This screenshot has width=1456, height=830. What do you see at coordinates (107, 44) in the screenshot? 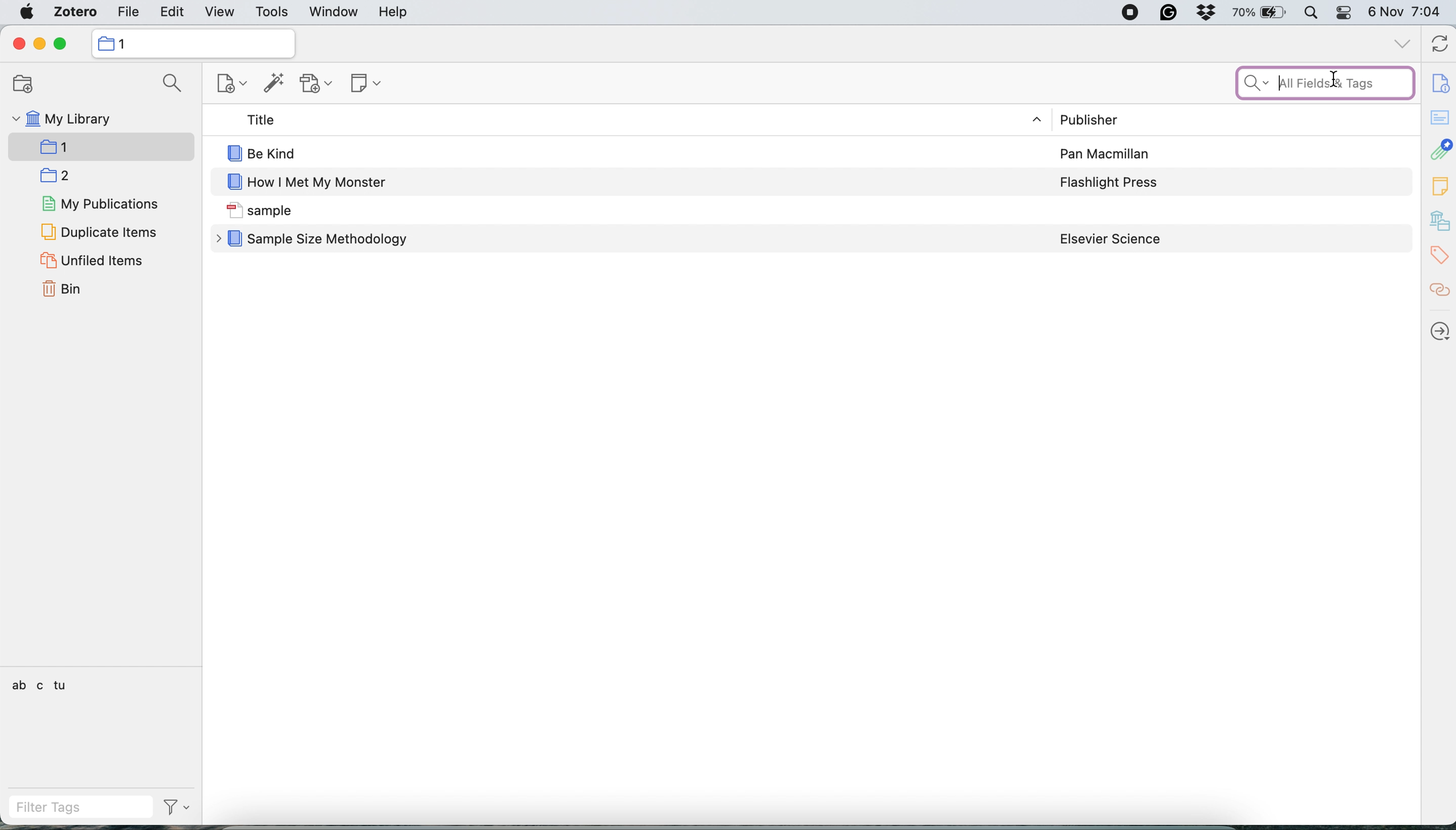
I see `icon` at bounding box center [107, 44].